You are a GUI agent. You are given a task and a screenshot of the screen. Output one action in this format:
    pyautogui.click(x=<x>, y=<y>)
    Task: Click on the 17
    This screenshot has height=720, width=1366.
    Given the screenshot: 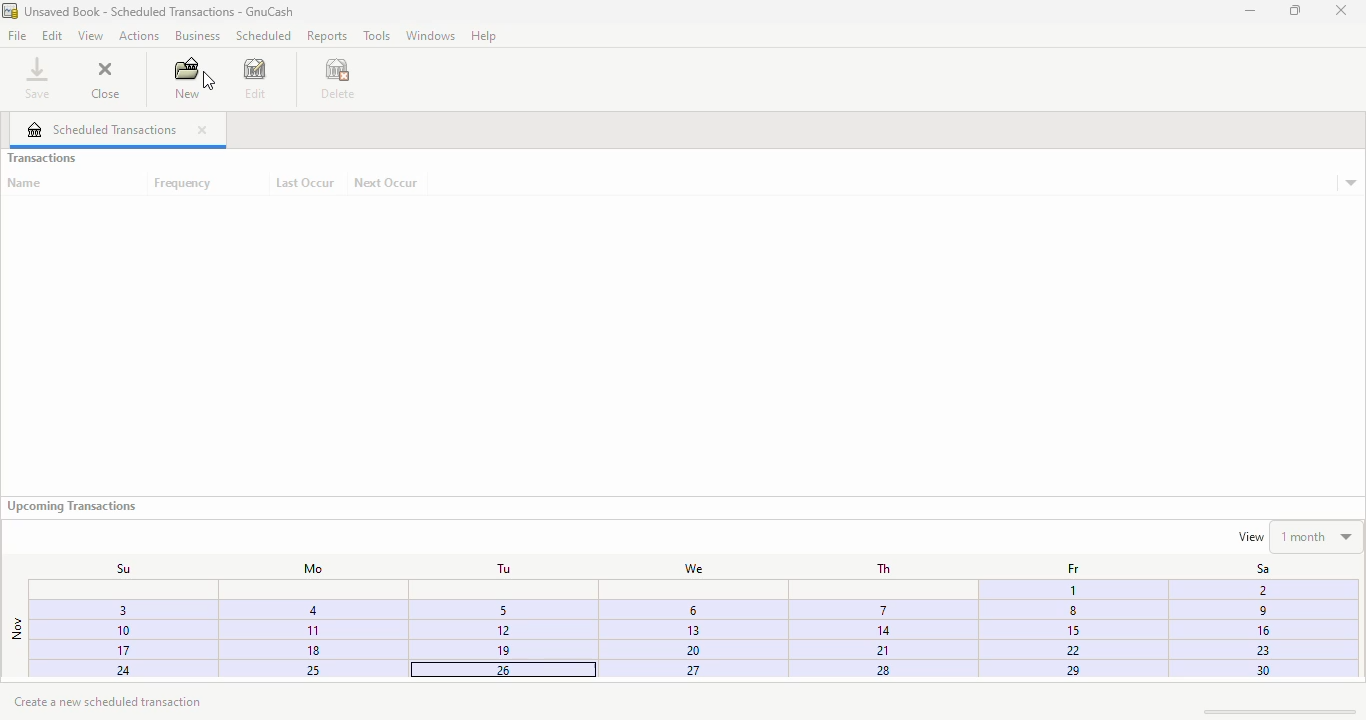 What is the action you would take?
    pyautogui.click(x=104, y=652)
    